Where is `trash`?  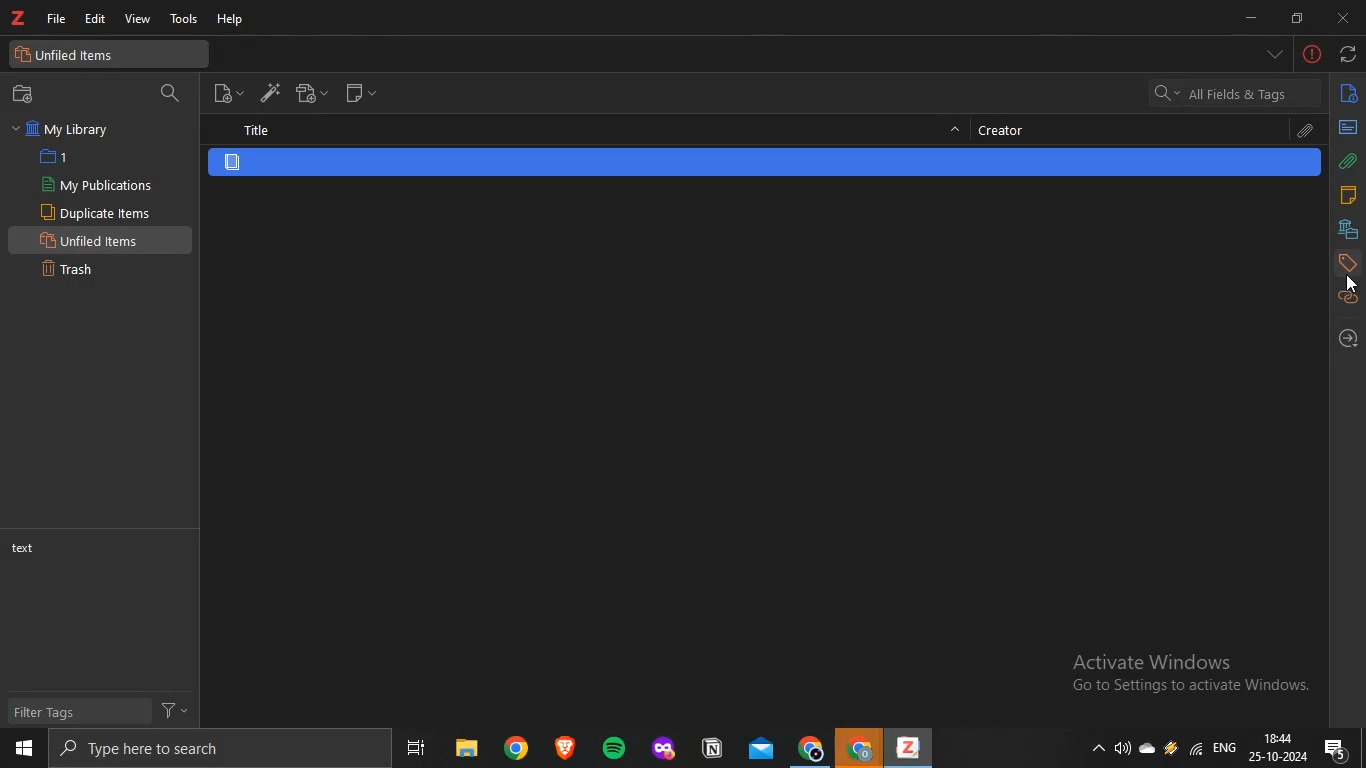
trash is located at coordinates (71, 269).